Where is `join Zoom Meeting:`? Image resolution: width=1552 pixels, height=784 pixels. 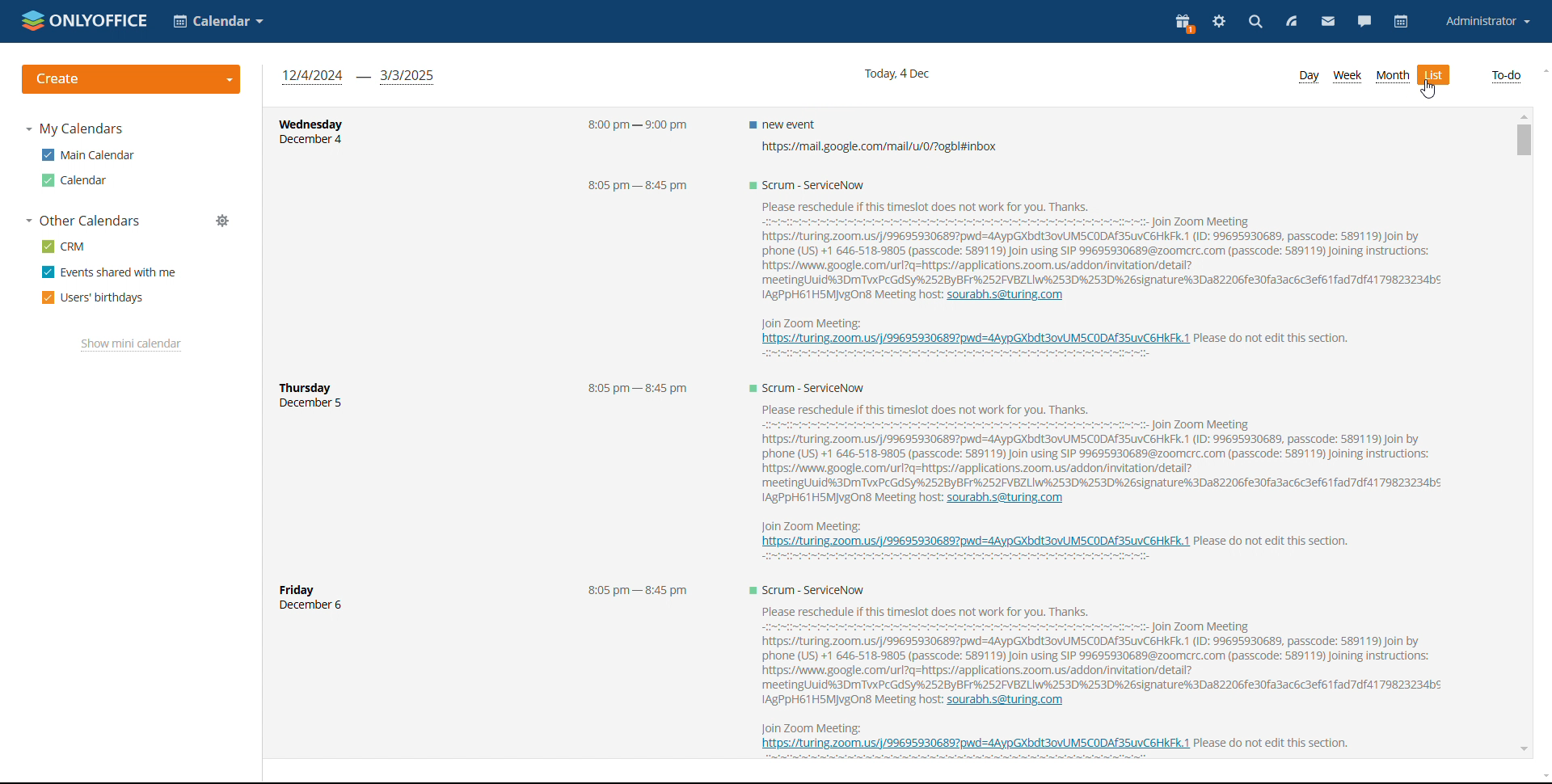
join Zoom Meeting: is located at coordinates (807, 322).